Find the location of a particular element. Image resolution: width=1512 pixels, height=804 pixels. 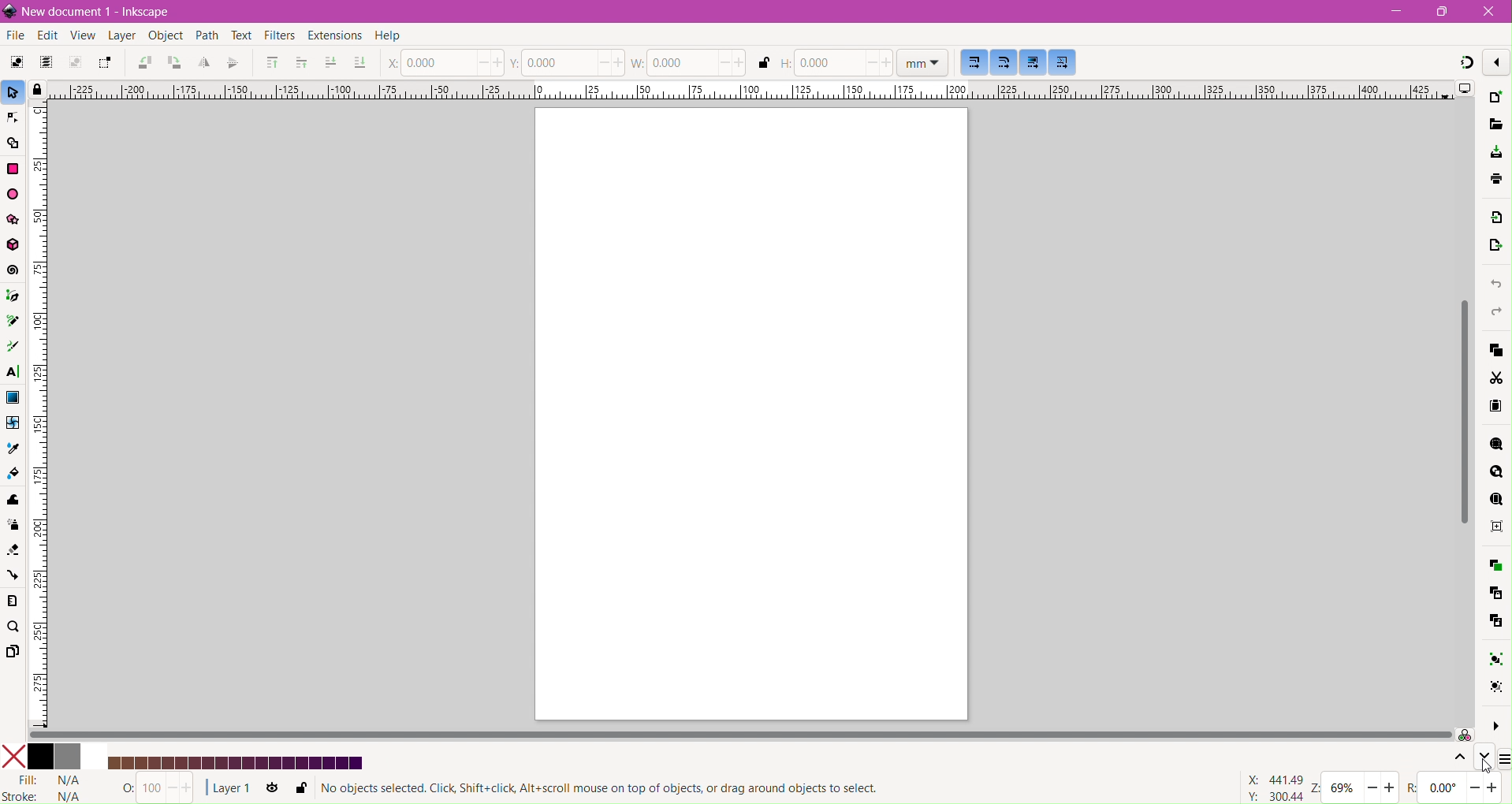

Set Ruler dimension is located at coordinates (922, 62).